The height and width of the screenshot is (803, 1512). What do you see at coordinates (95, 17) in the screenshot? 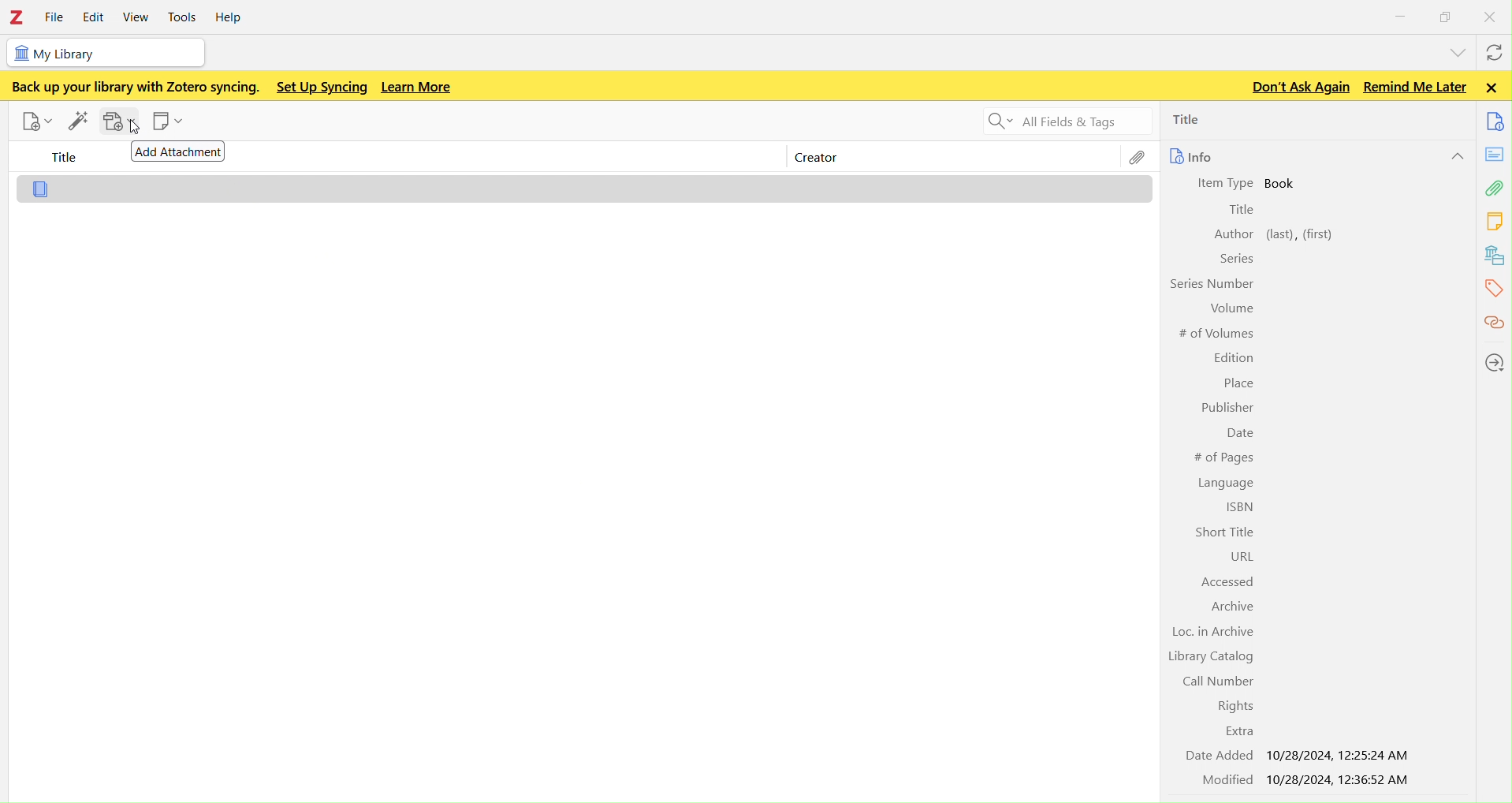
I see `edit` at bounding box center [95, 17].